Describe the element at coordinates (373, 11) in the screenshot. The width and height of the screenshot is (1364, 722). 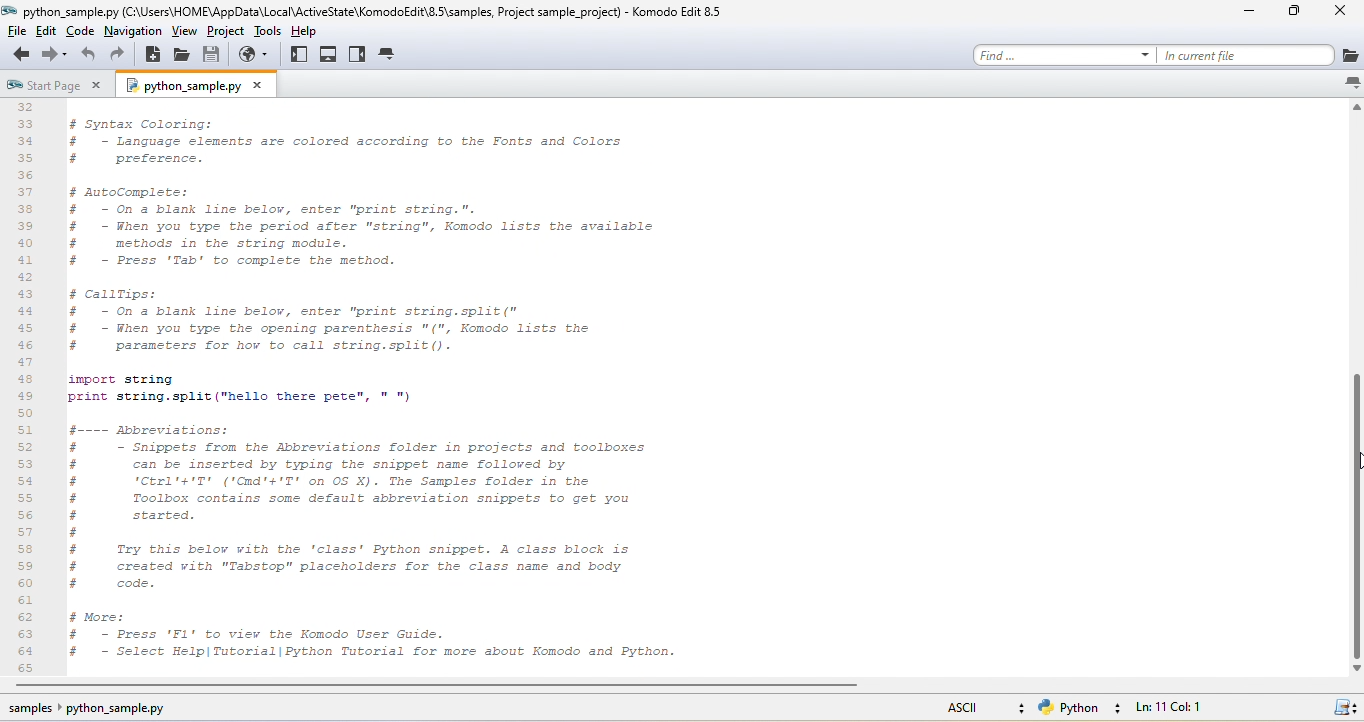
I see `title` at that location.